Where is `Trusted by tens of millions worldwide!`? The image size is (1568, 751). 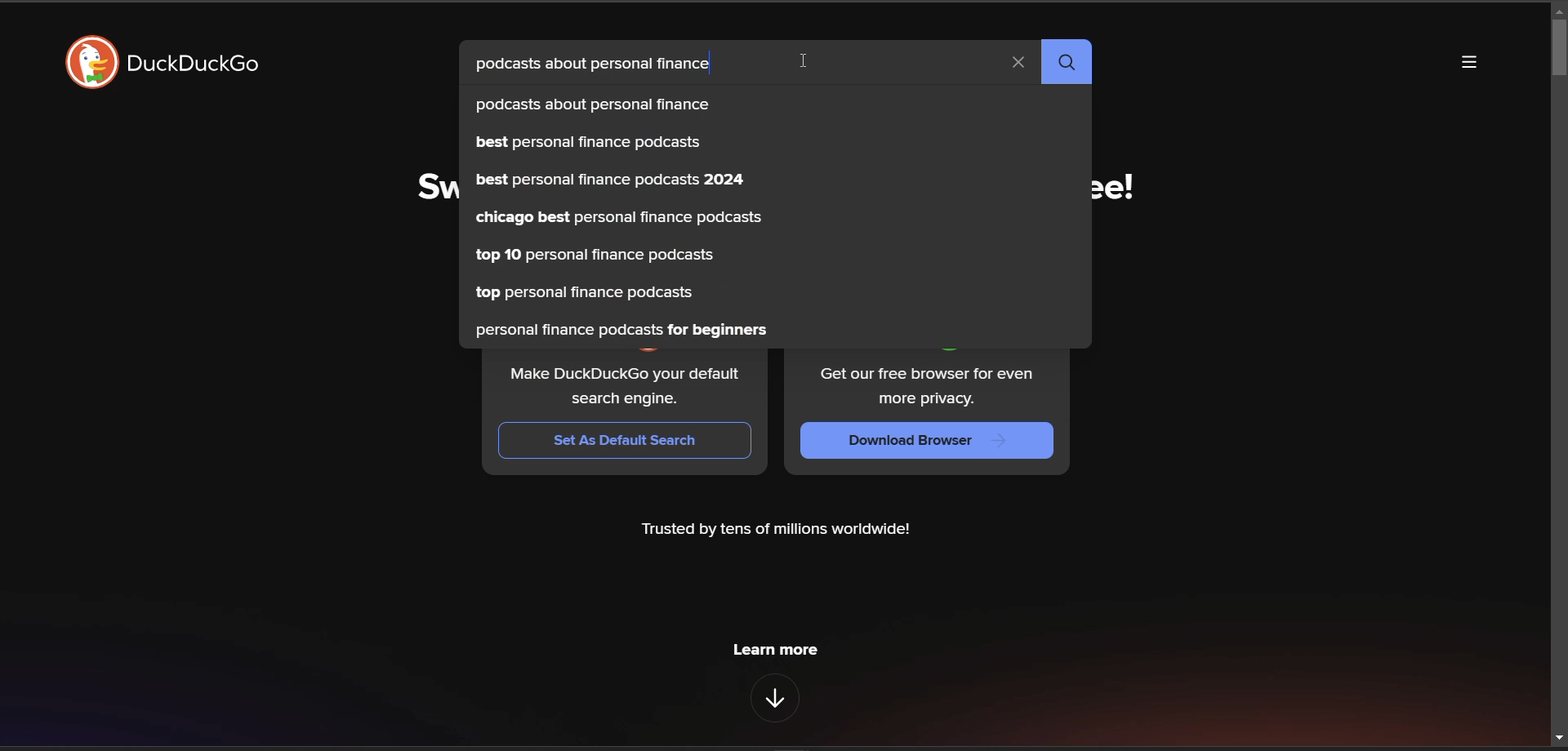
Trusted by tens of millions worldwide! is located at coordinates (773, 530).